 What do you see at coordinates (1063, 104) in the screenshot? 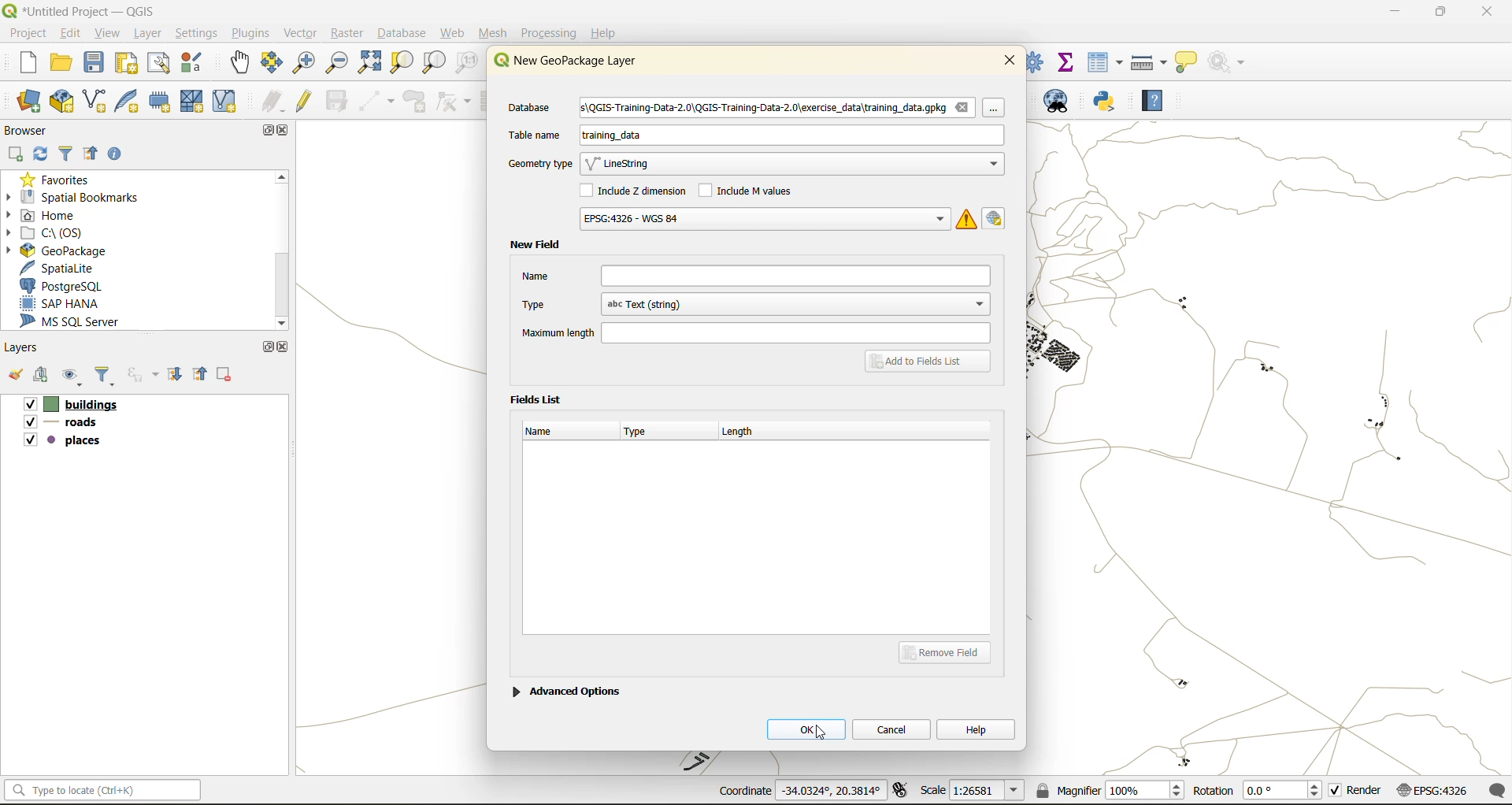
I see `metasearch` at bounding box center [1063, 104].